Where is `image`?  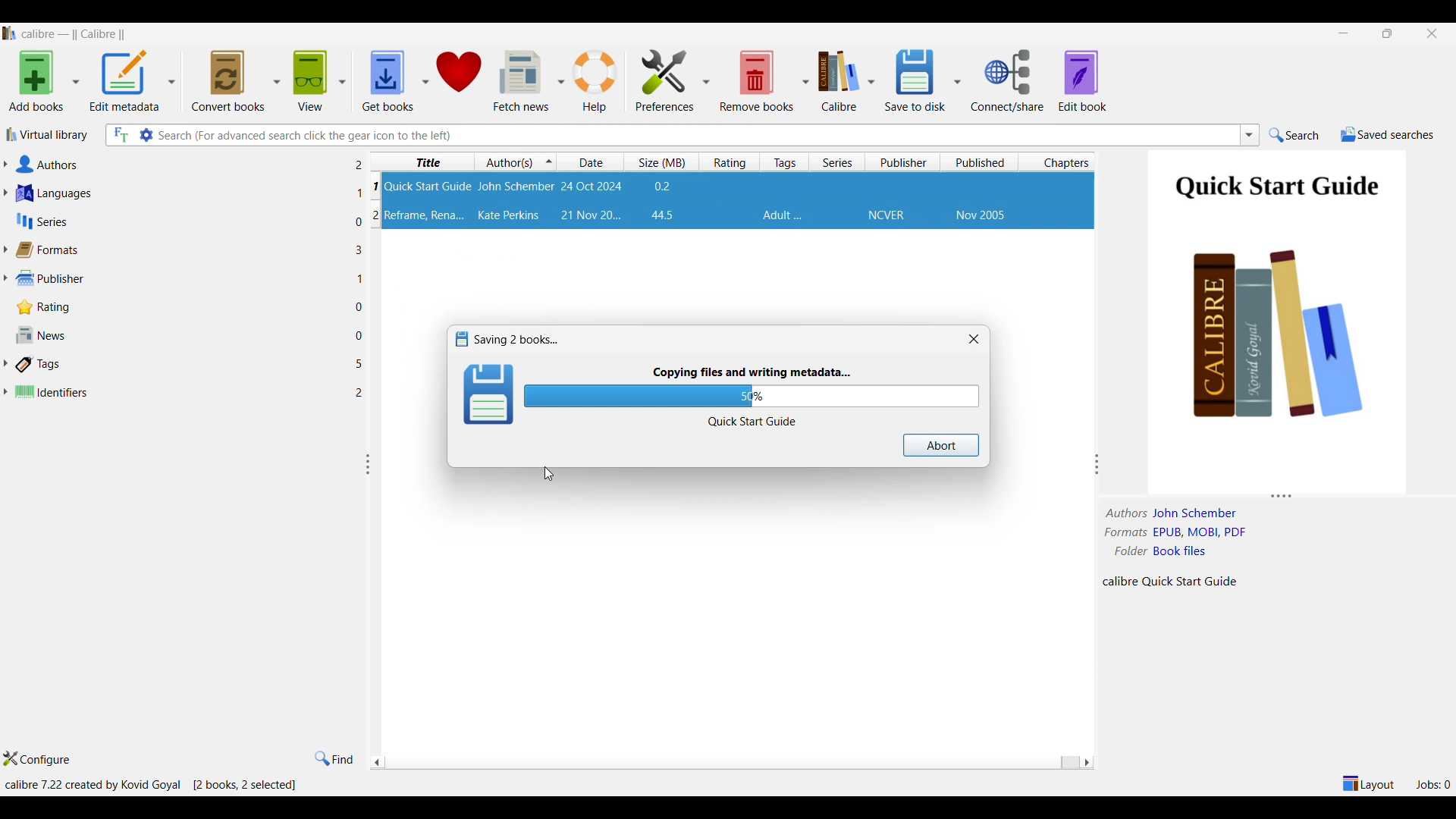
image is located at coordinates (1281, 354).